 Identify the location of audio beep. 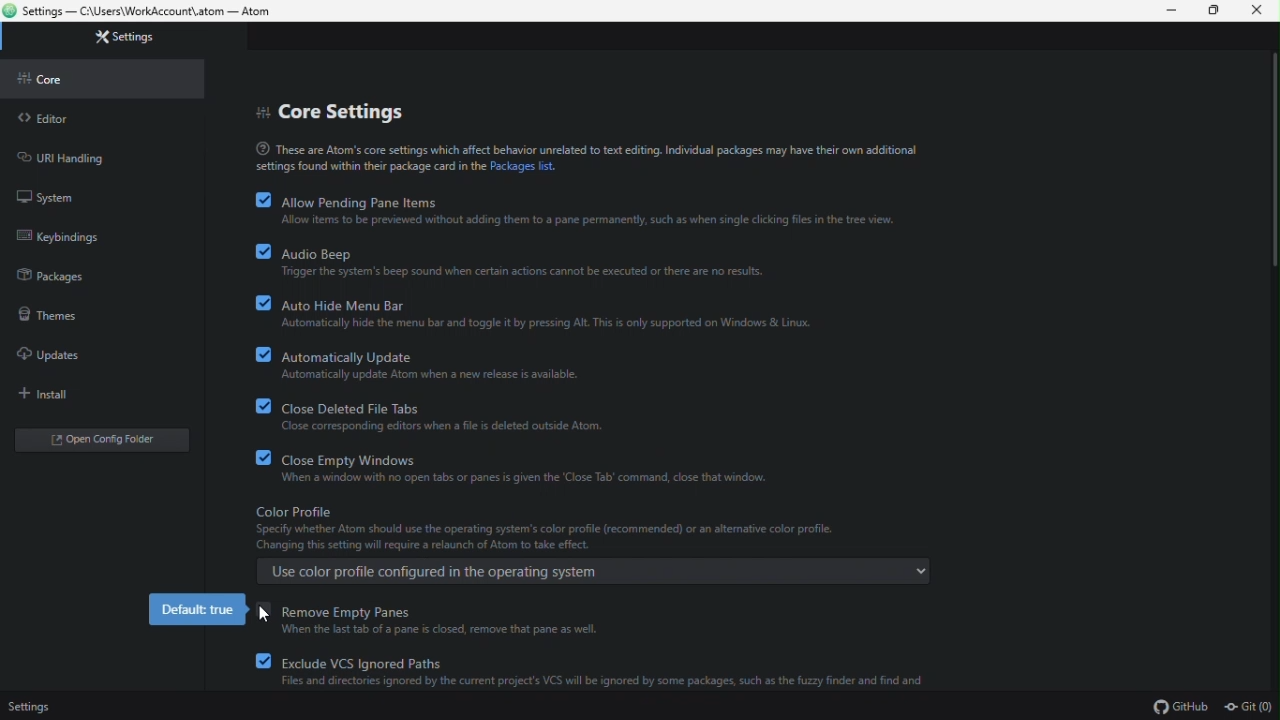
(524, 261).